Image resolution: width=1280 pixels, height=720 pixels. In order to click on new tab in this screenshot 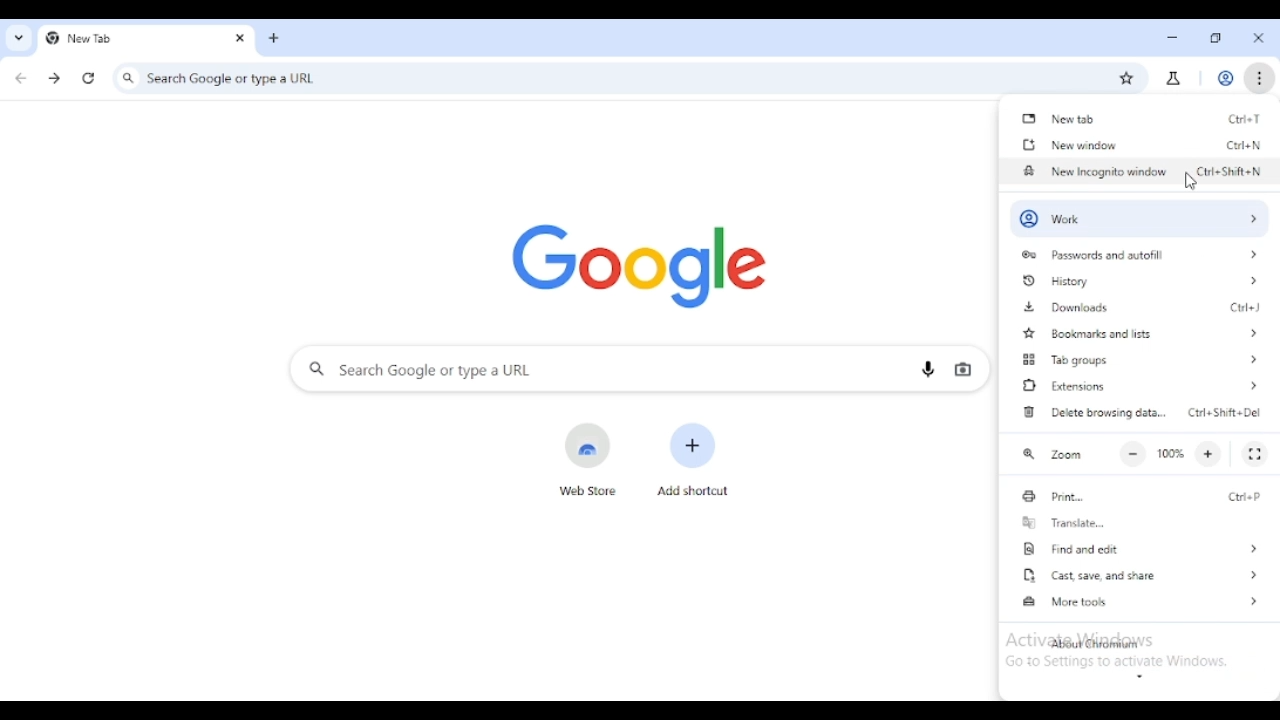, I will do `click(1244, 119)`.